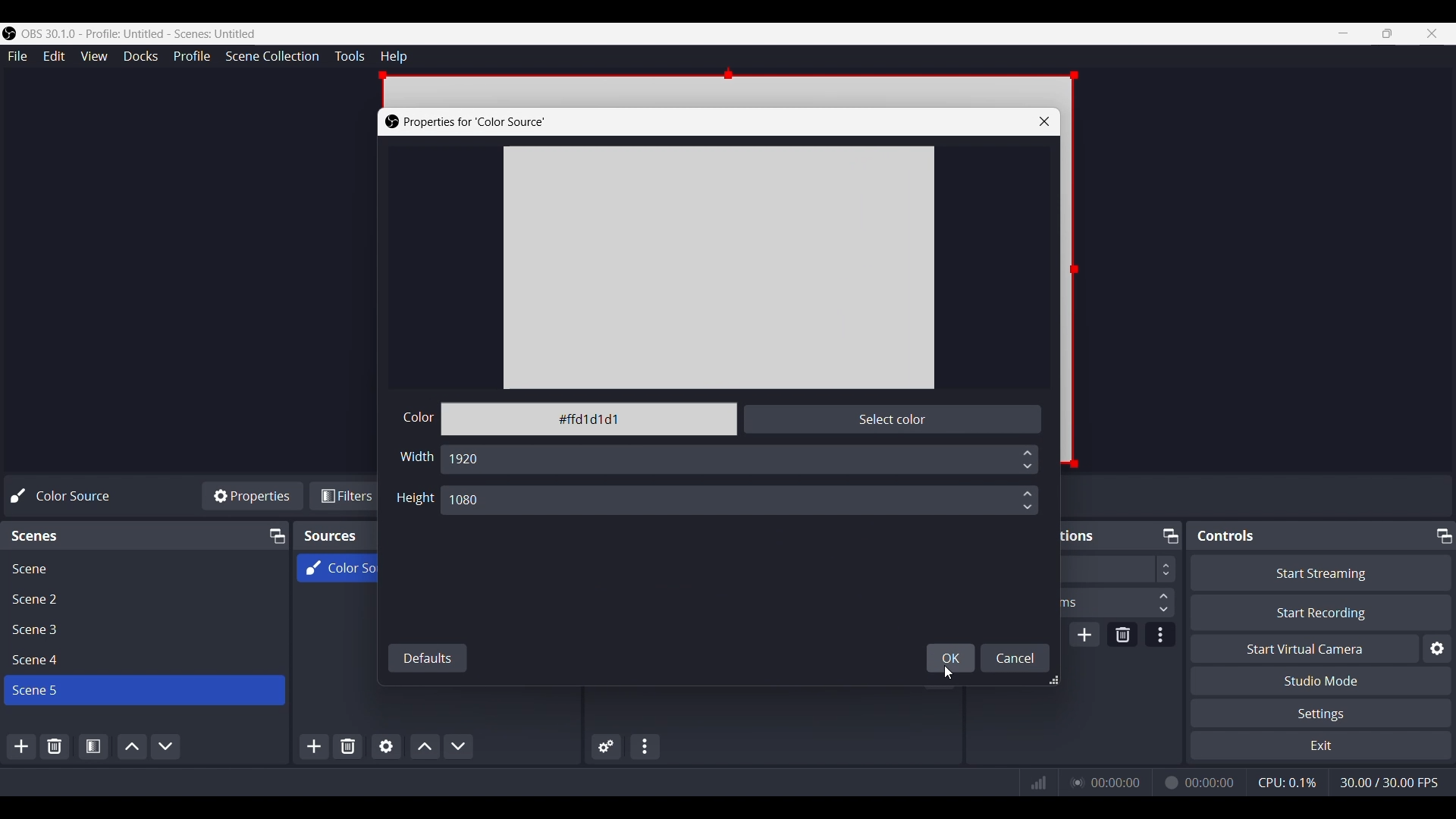  I want to click on Scene Collection, so click(273, 57).